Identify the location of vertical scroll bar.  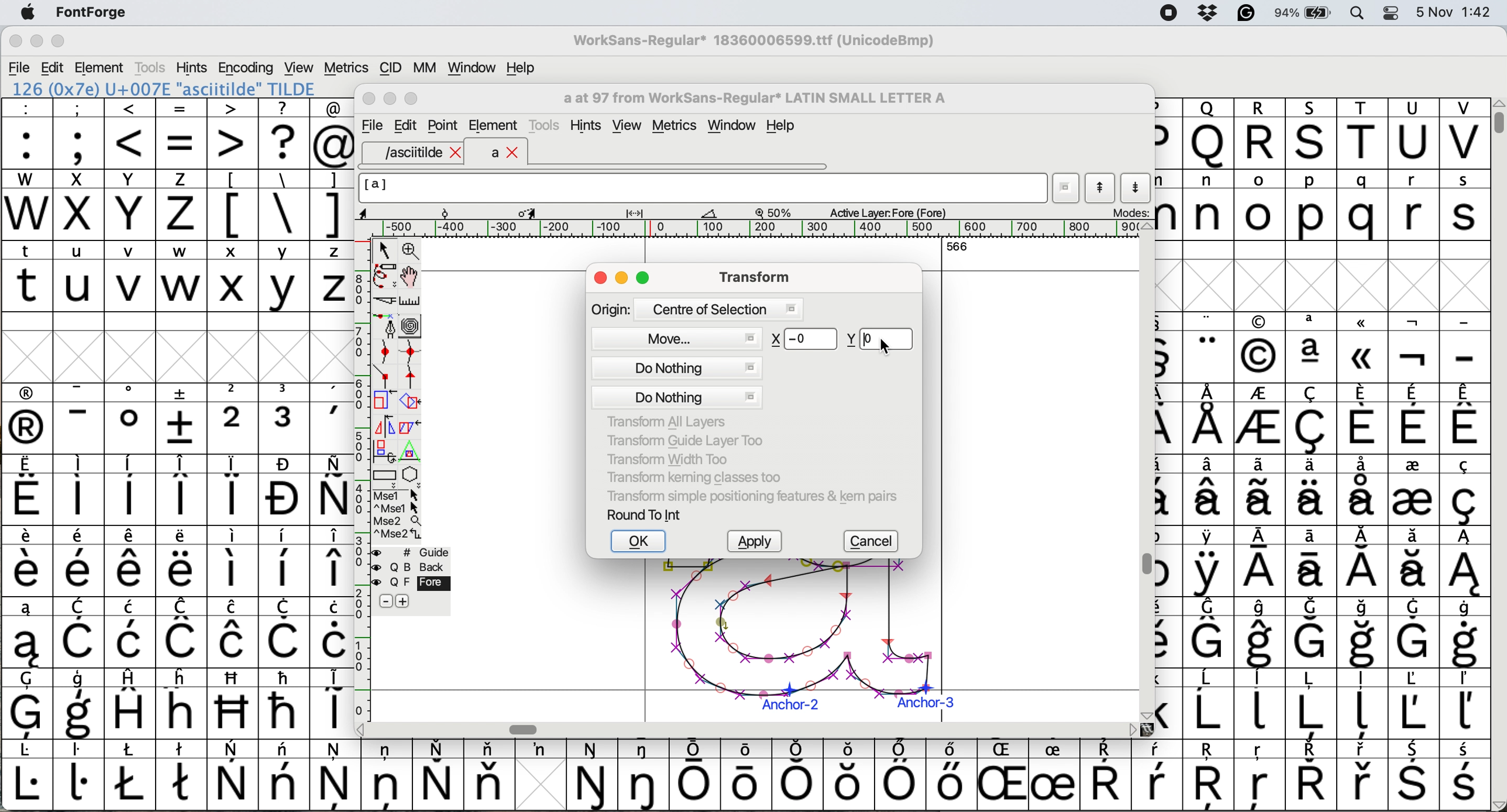
(1496, 117).